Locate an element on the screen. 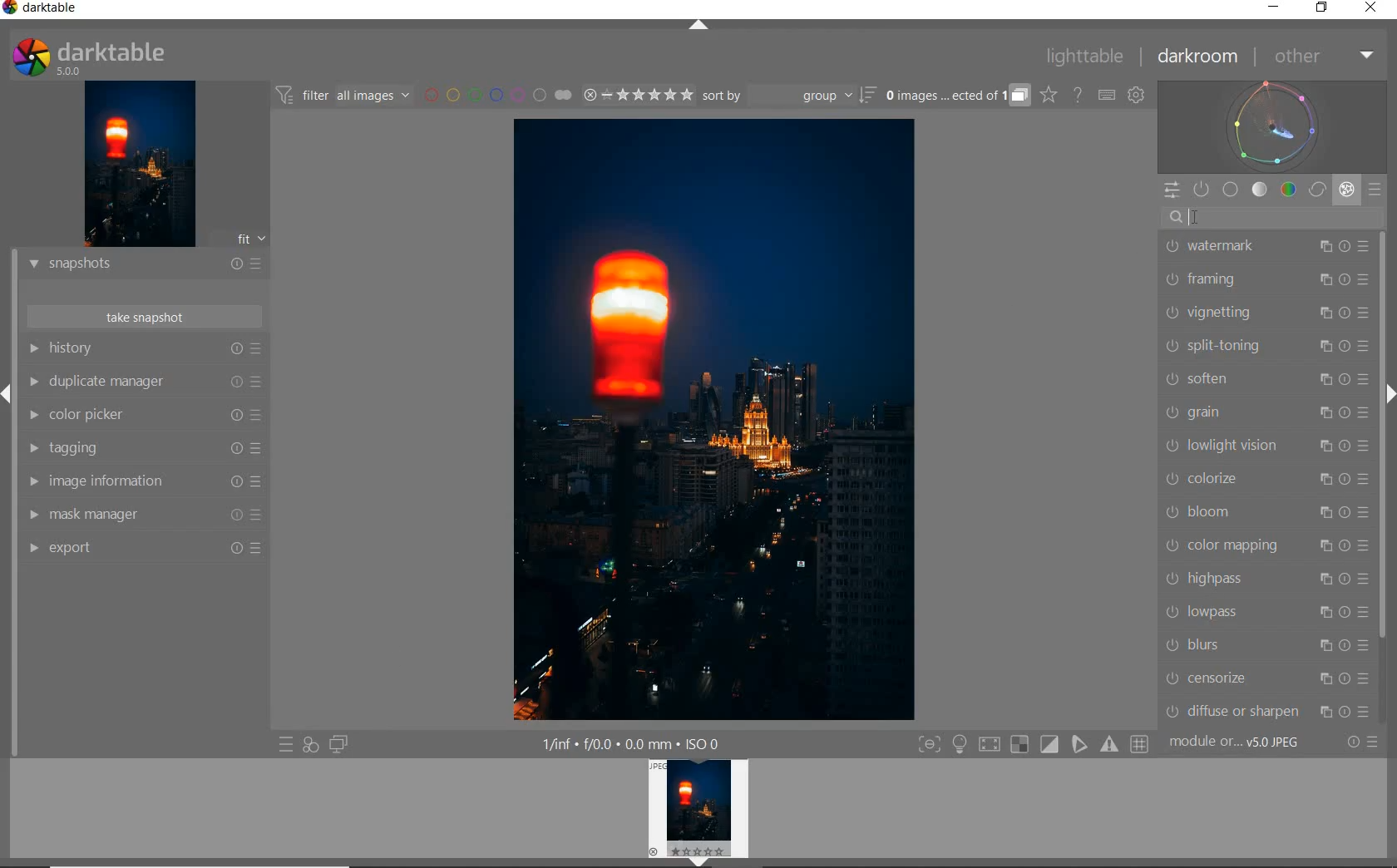 This screenshot has width=1397, height=868. SEARCH MODULE BY NAME is located at coordinates (1276, 218).